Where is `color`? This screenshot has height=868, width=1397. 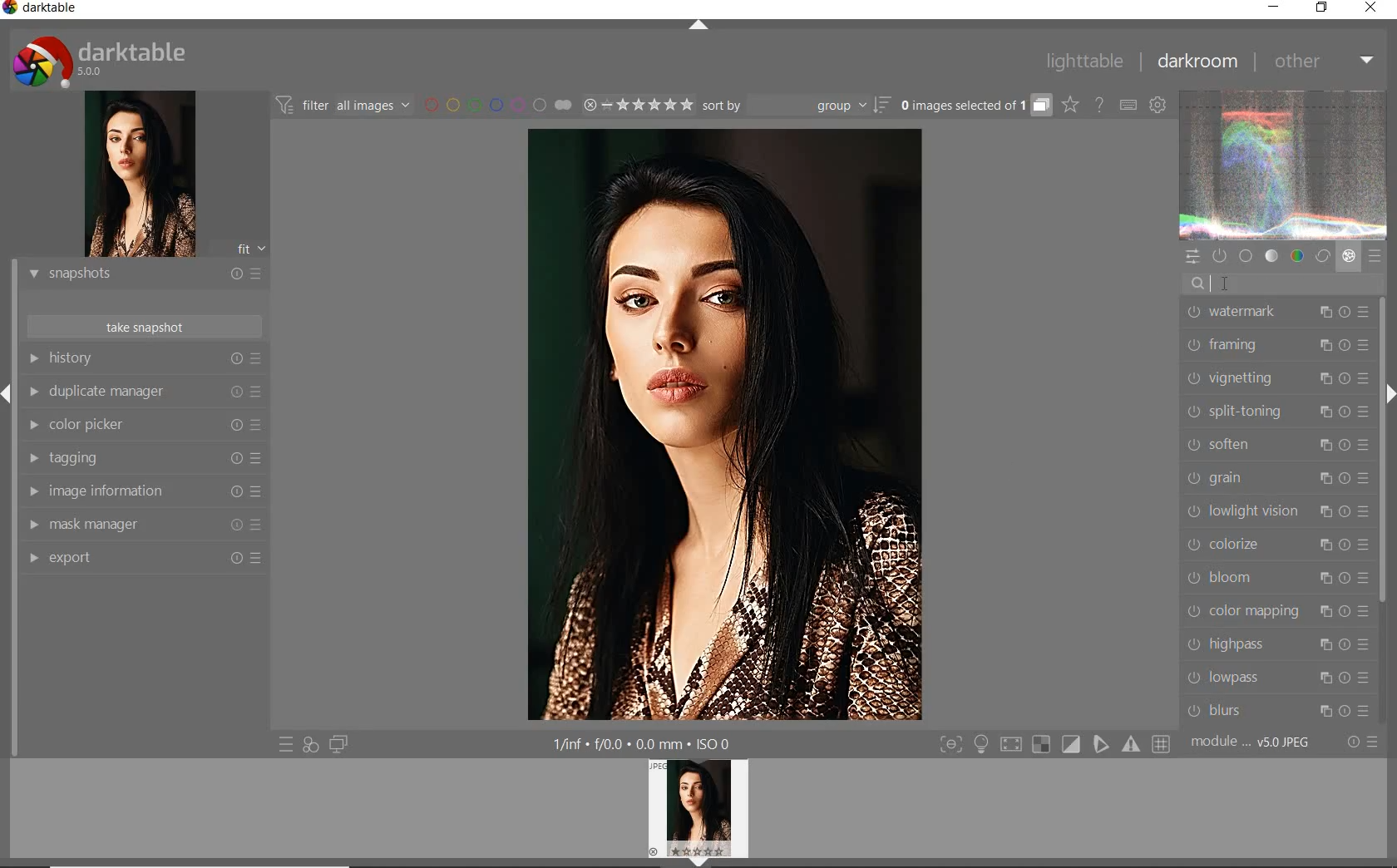 color is located at coordinates (1296, 257).